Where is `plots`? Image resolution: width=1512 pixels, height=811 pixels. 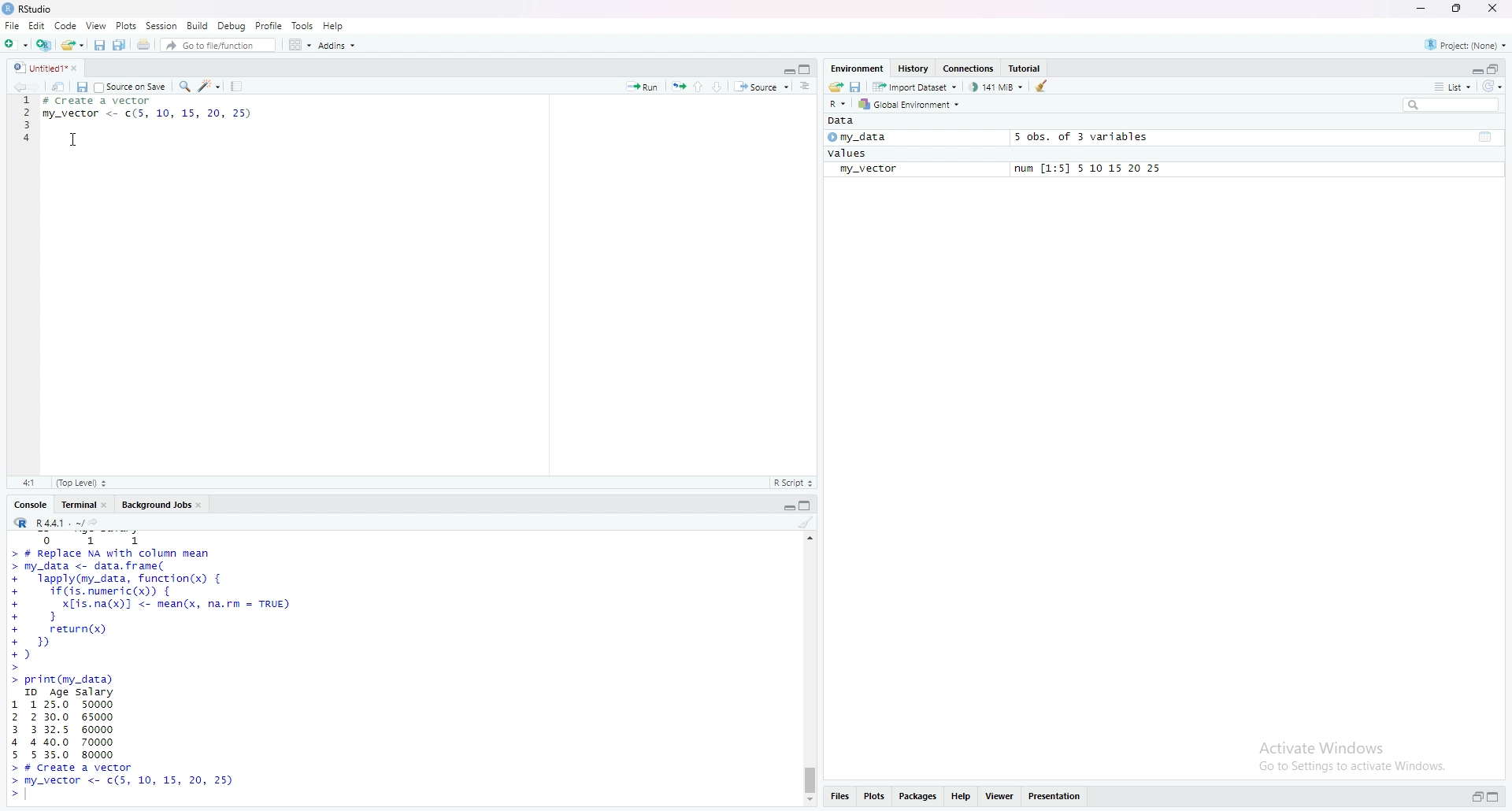
plots is located at coordinates (876, 796).